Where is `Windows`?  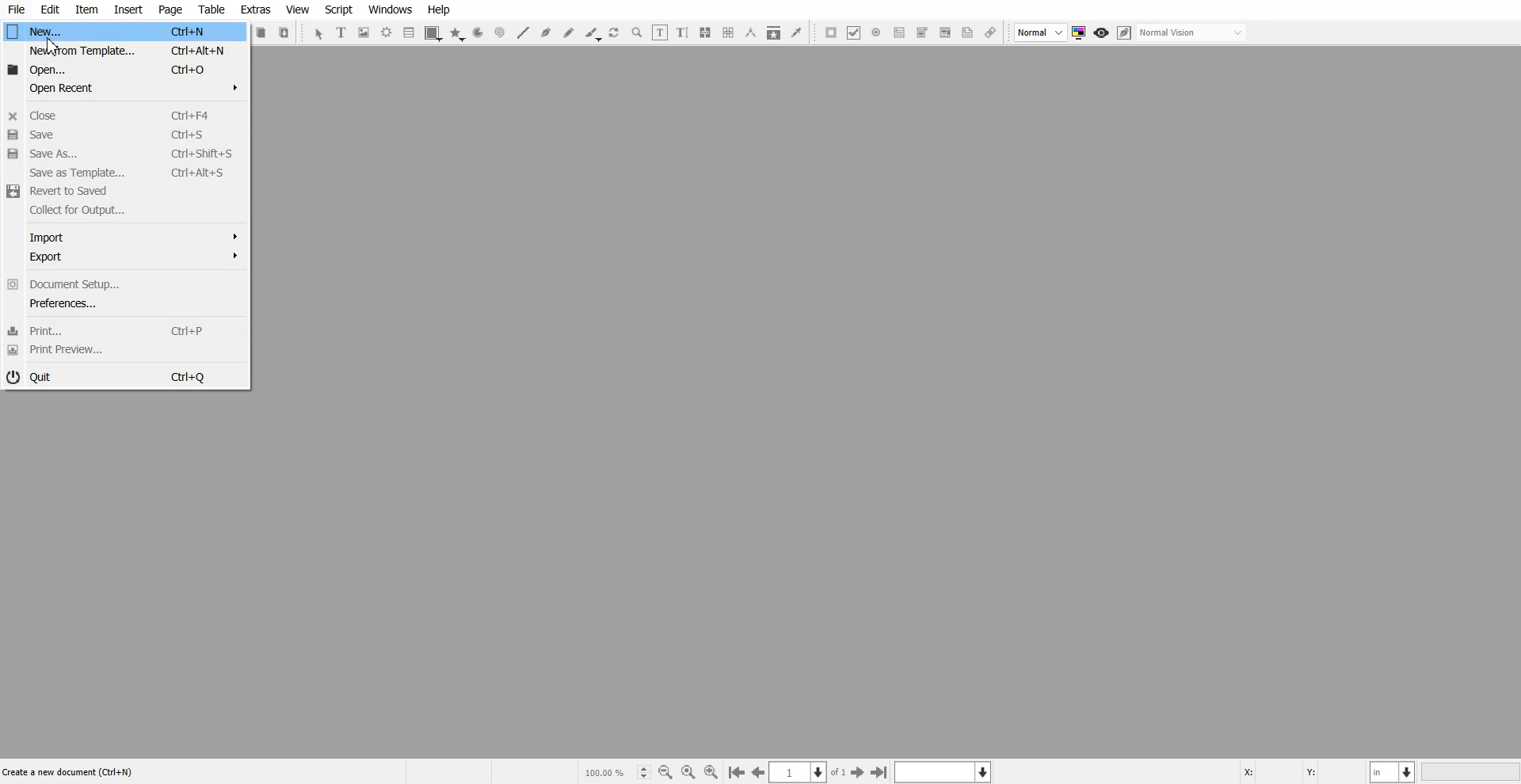
Windows is located at coordinates (391, 10).